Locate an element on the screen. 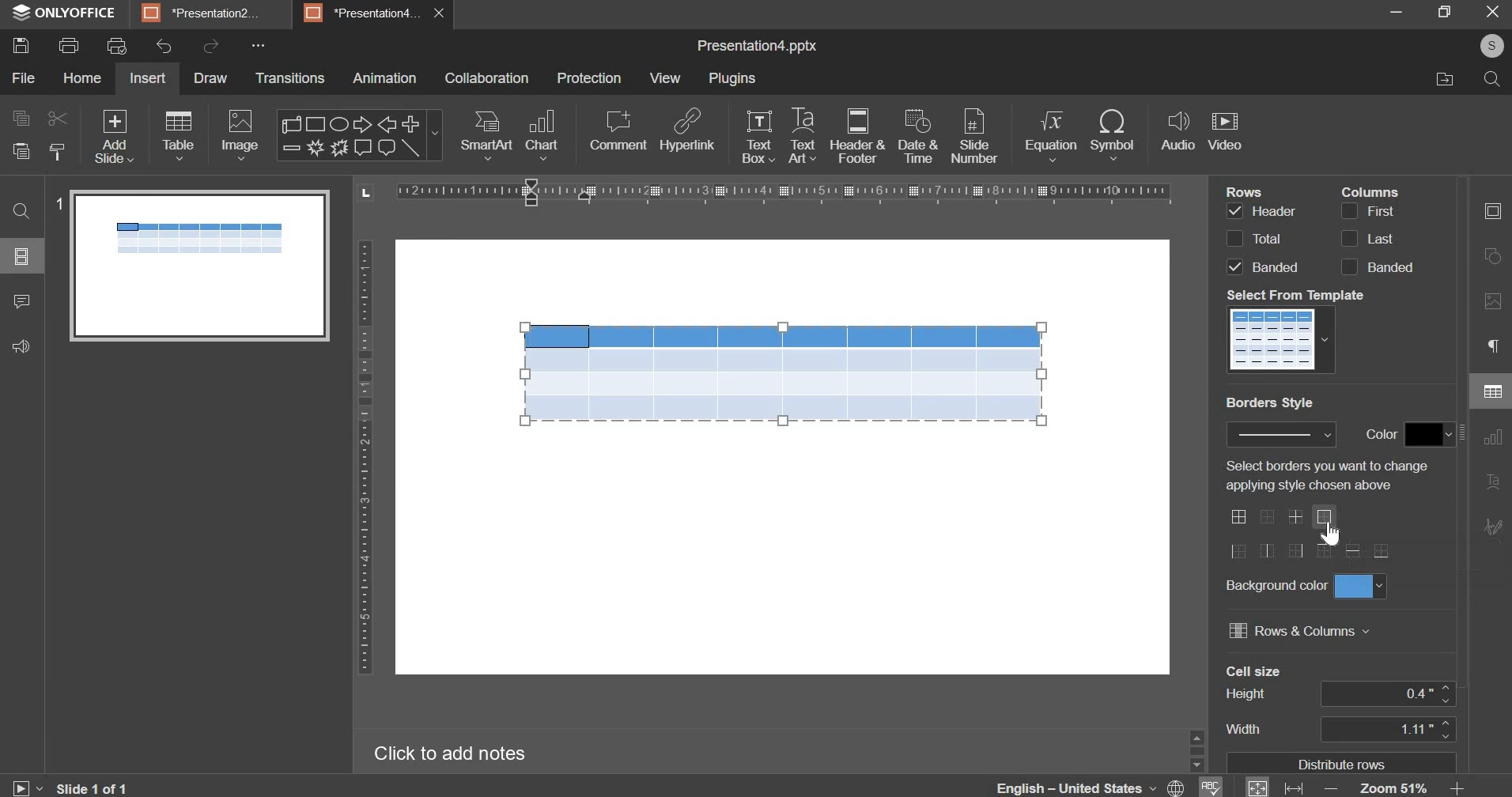 This screenshot has height=797, width=1512. 1.11 is located at coordinates (1427, 730).